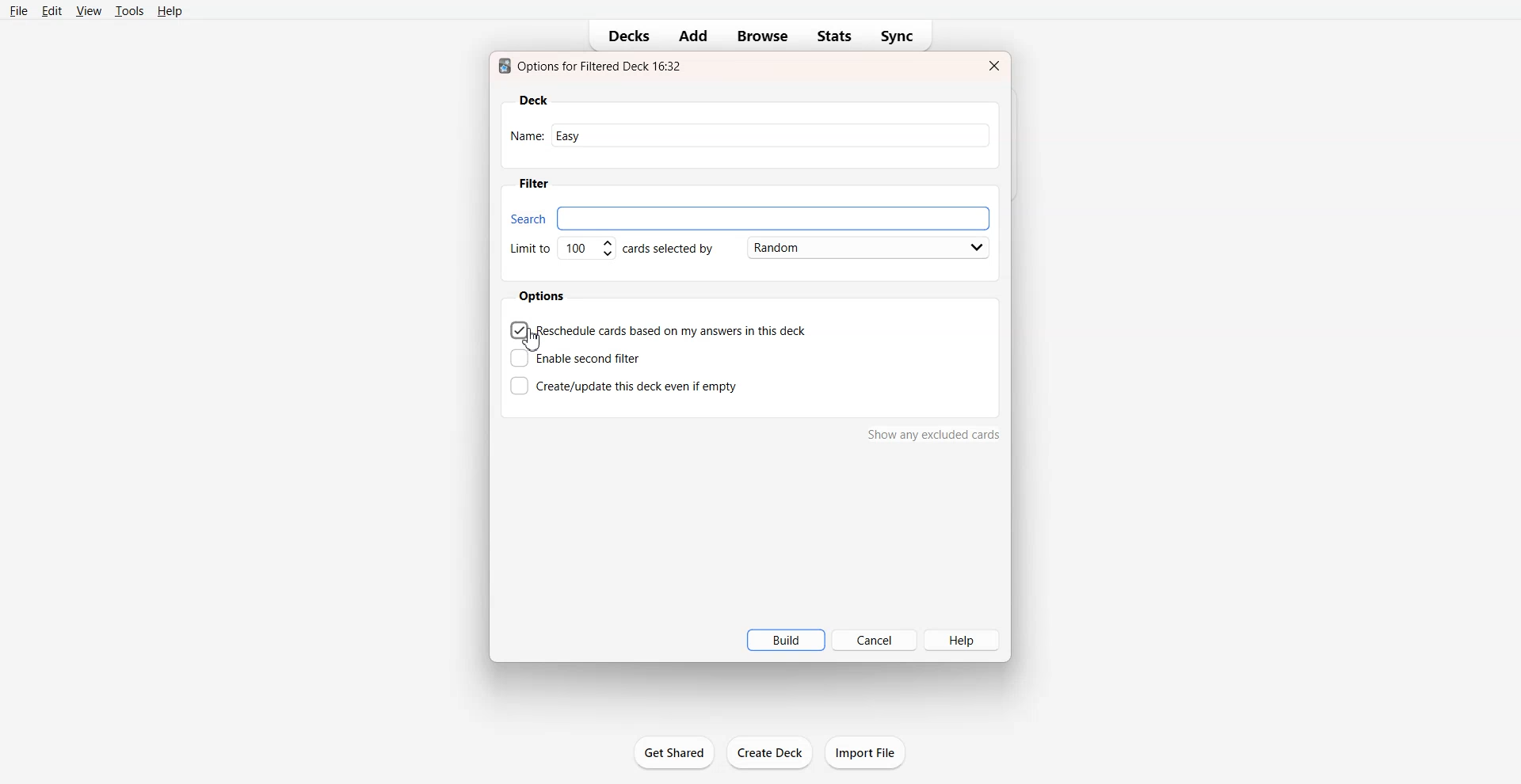 The height and width of the screenshot is (784, 1521). What do you see at coordinates (623, 384) in the screenshot?
I see `Create this deck even if empty` at bounding box center [623, 384].